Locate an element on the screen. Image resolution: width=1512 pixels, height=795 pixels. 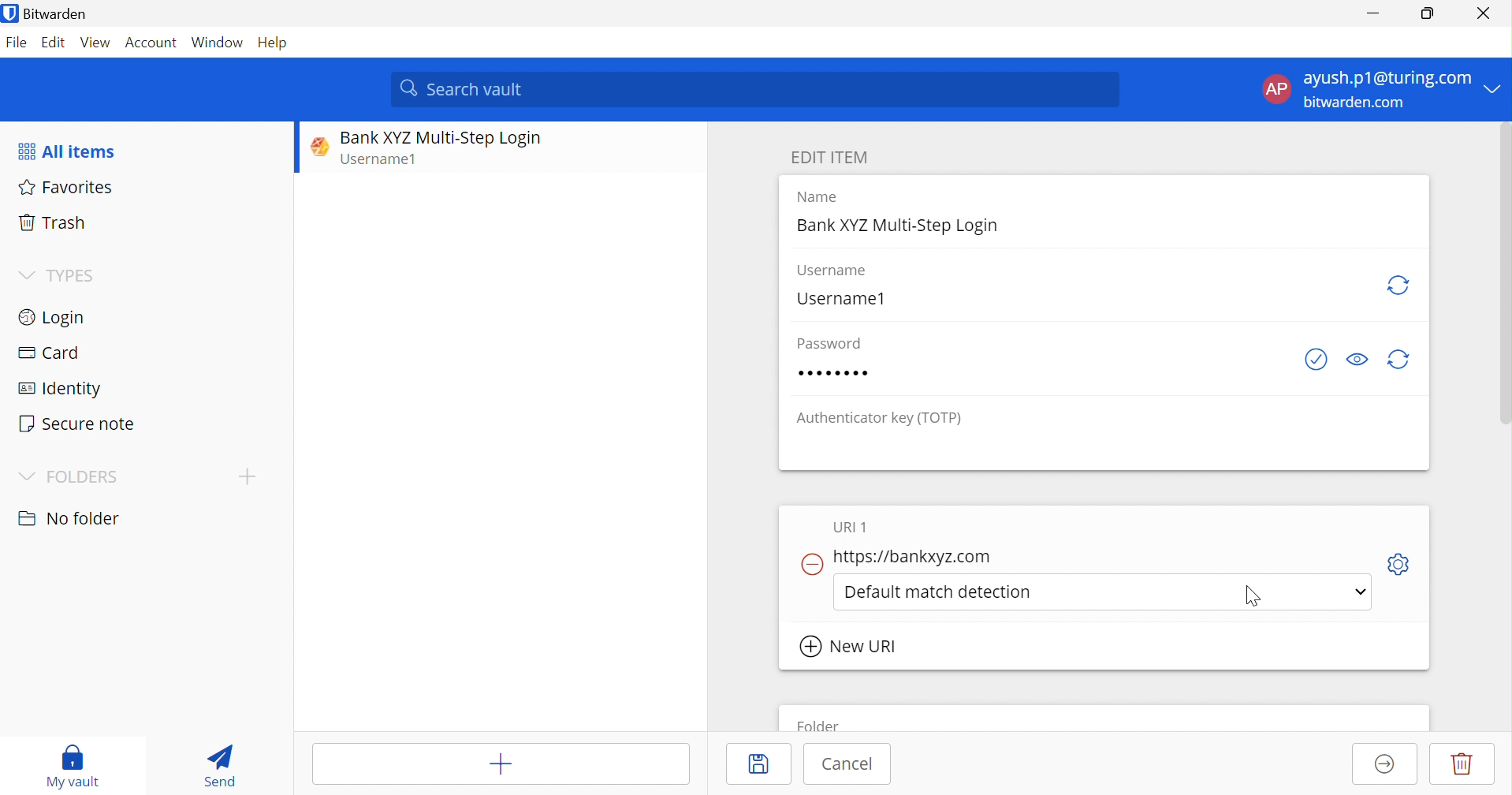
Authenticator key (TOTP) is located at coordinates (881, 420).